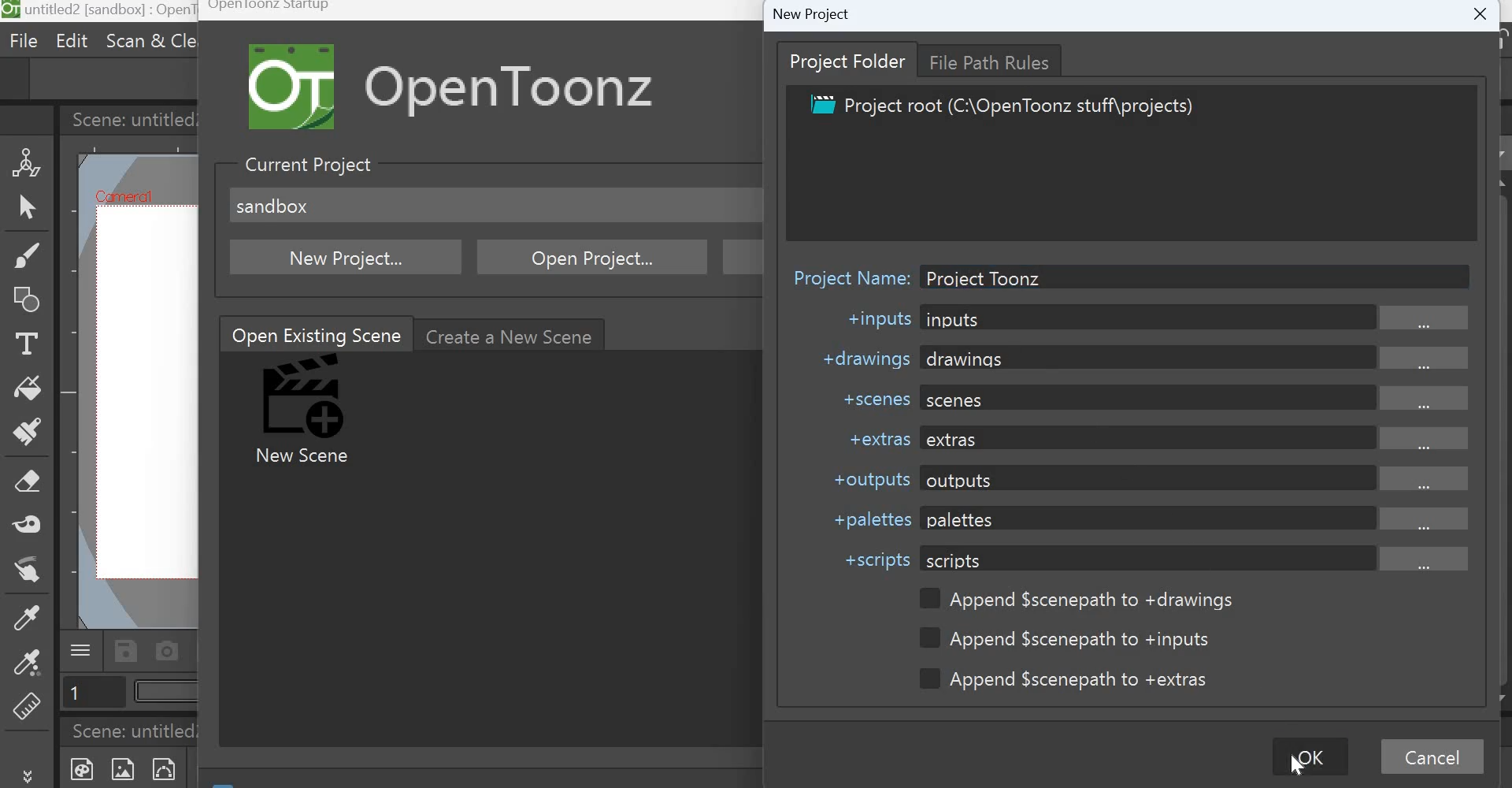  I want to click on Save scene, so click(126, 651).